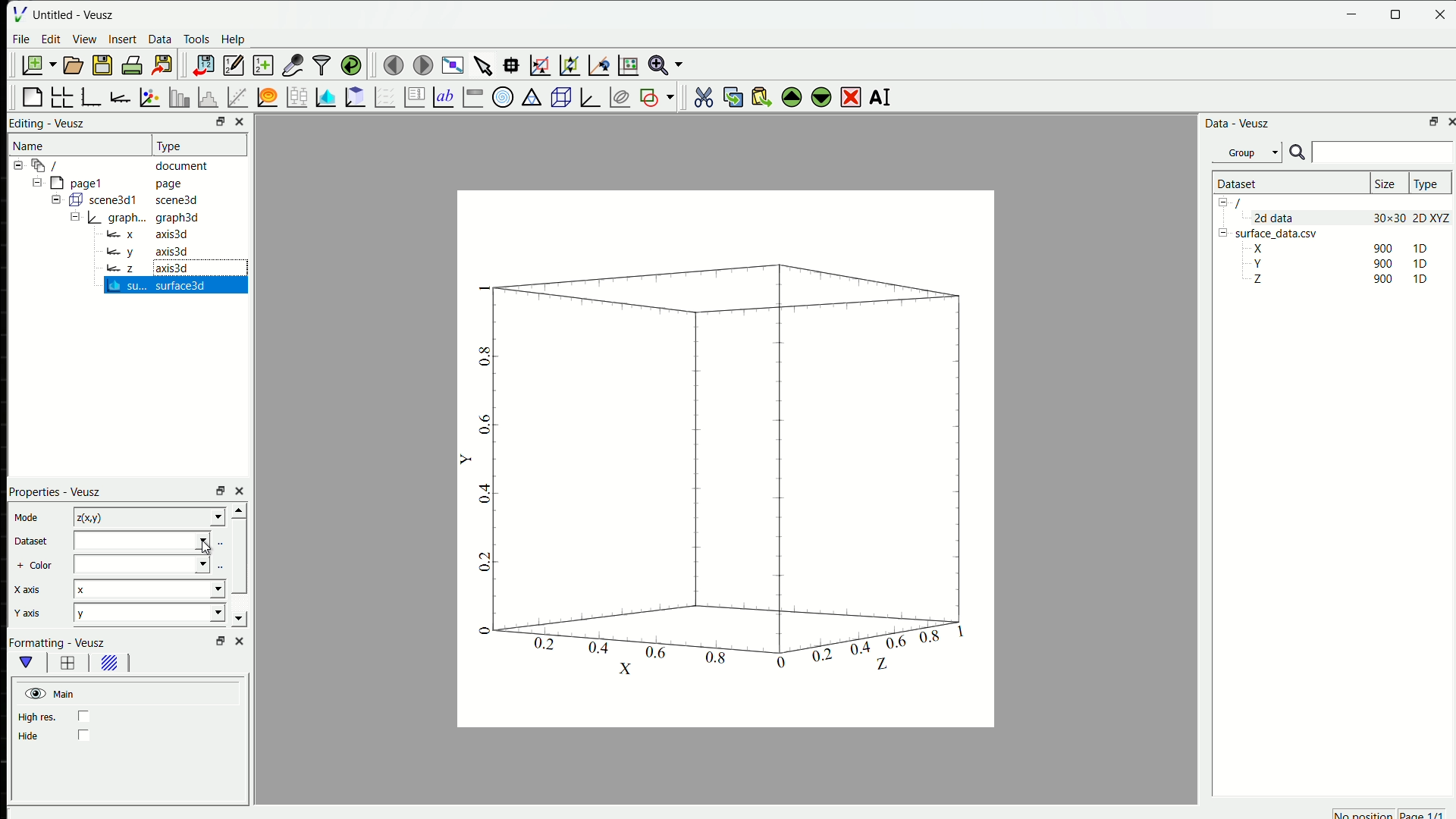  What do you see at coordinates (513, 65) in the screenshot?
I see `read data points on the graph` at bounding box center [513, 65].